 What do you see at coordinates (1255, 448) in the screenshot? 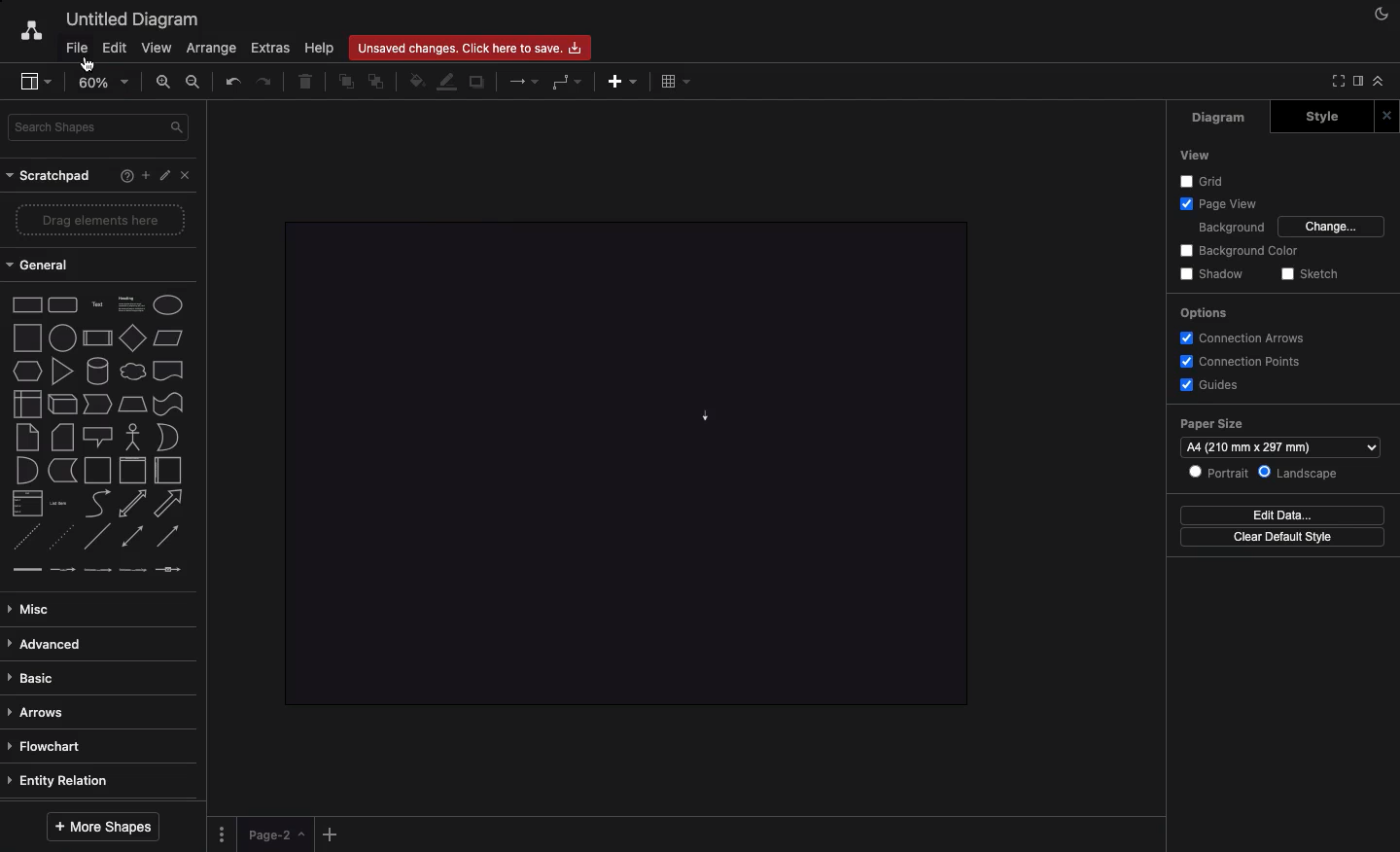
I see `A4 (210 mm x 297 mm)` at bounding box center [1255, 448].